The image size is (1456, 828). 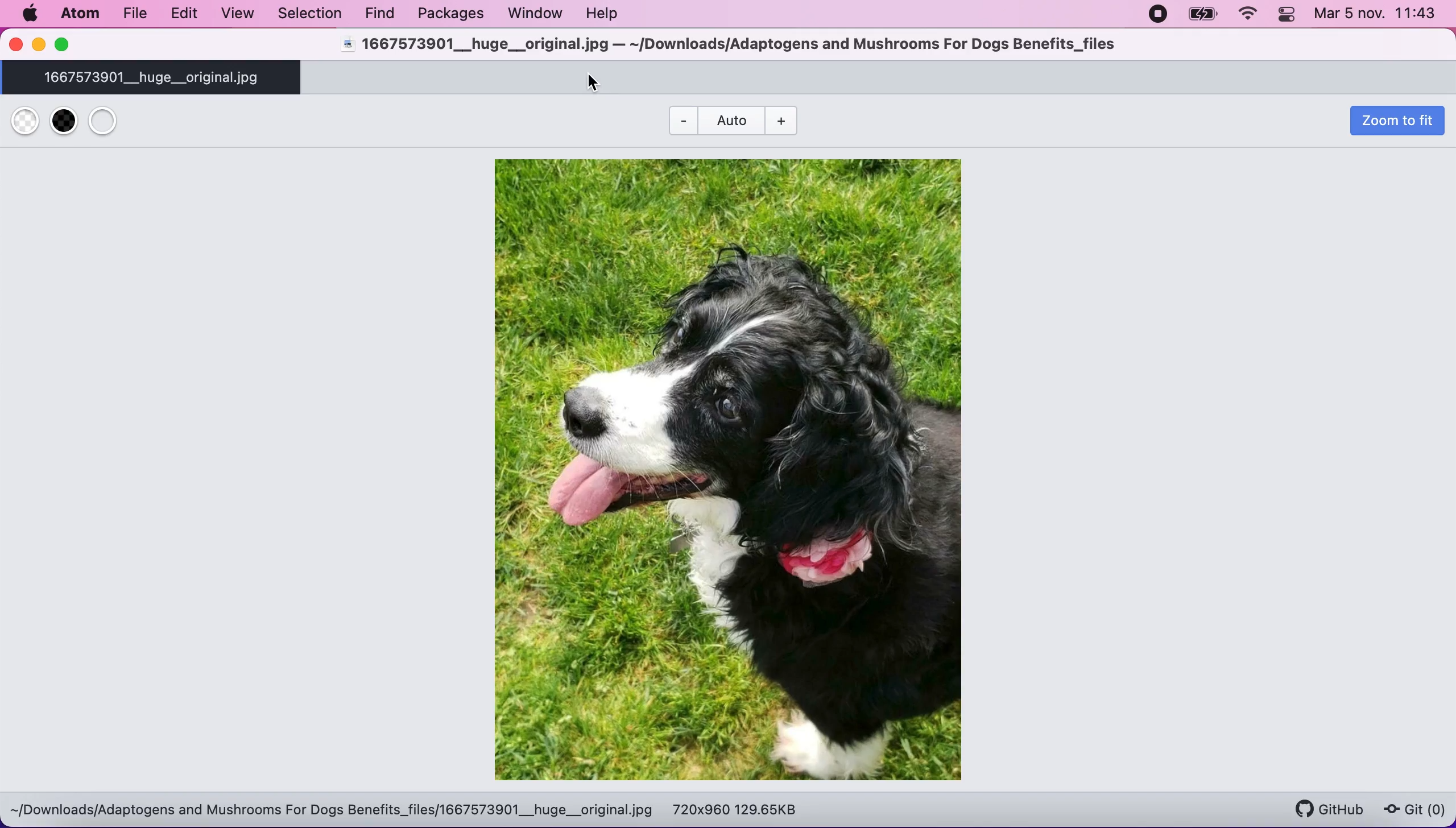 What do you see at coordinates (609, 15) in the screenshot?
I see `help` at bounding box center [609, 15].